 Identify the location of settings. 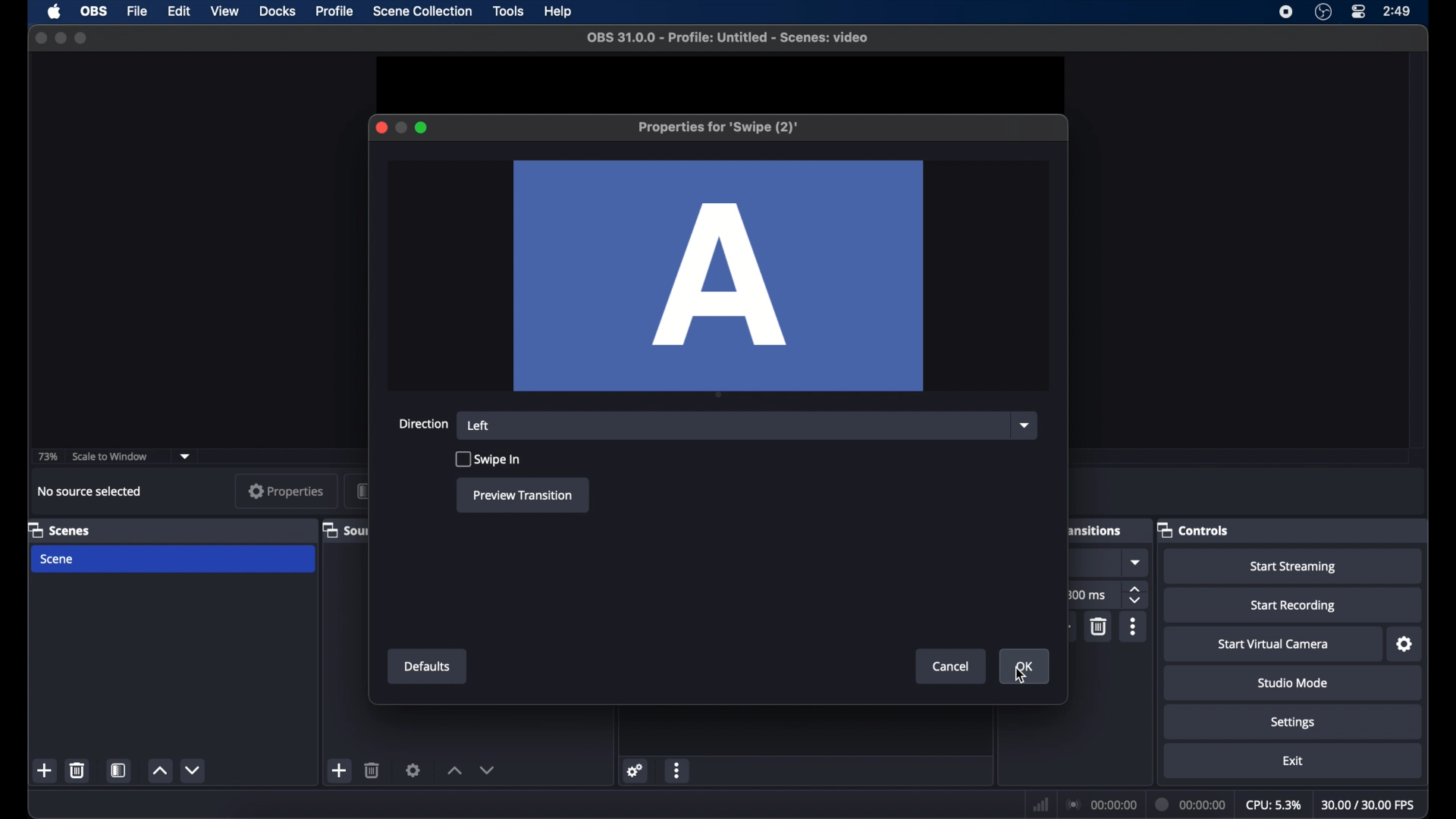
(1294, 723).